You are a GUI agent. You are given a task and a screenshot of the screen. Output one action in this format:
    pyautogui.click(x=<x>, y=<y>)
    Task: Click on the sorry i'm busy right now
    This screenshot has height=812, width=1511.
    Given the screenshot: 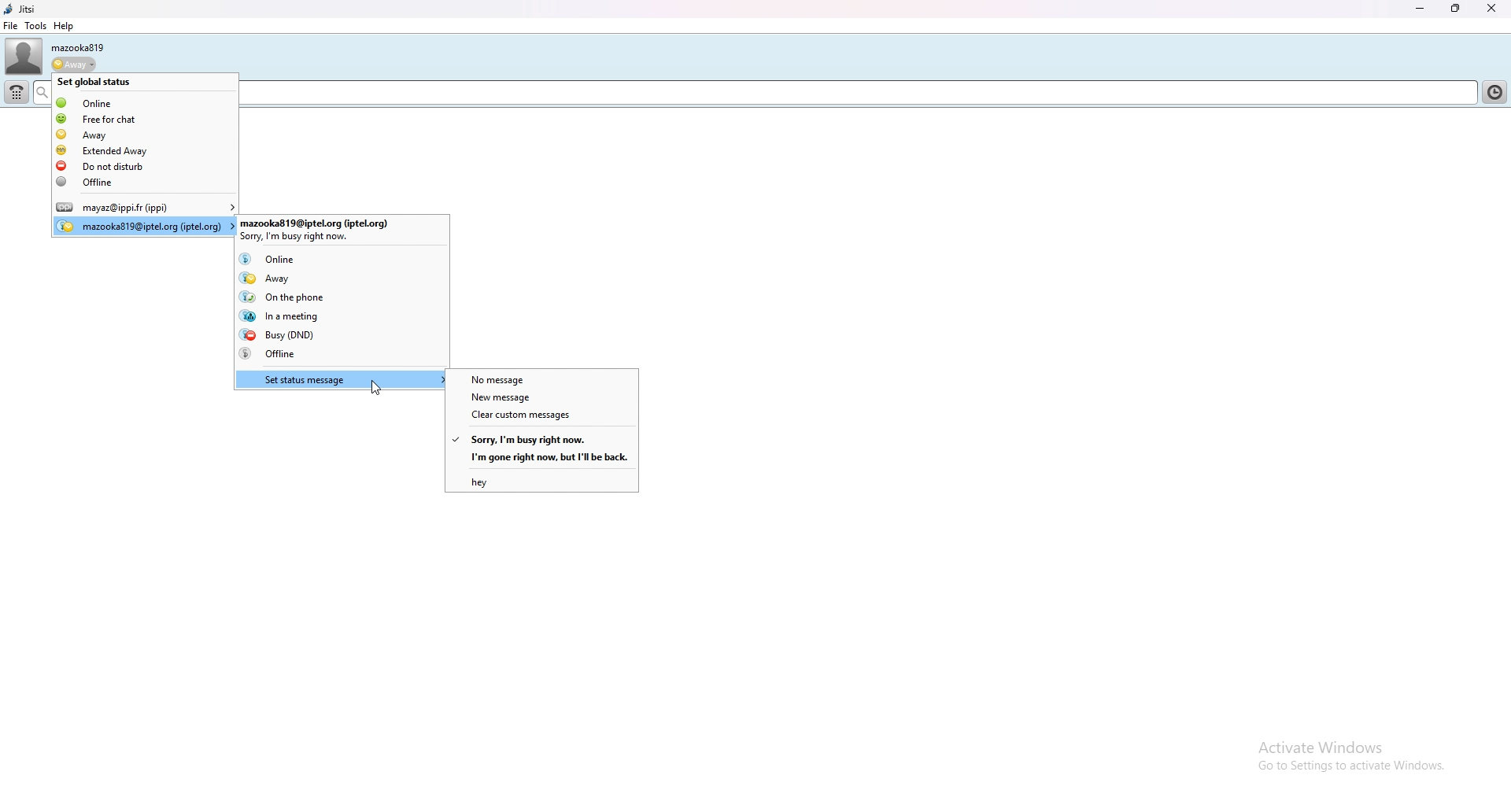 What is the action you would take?
    pyautogui.click(x=542, y=438)
    